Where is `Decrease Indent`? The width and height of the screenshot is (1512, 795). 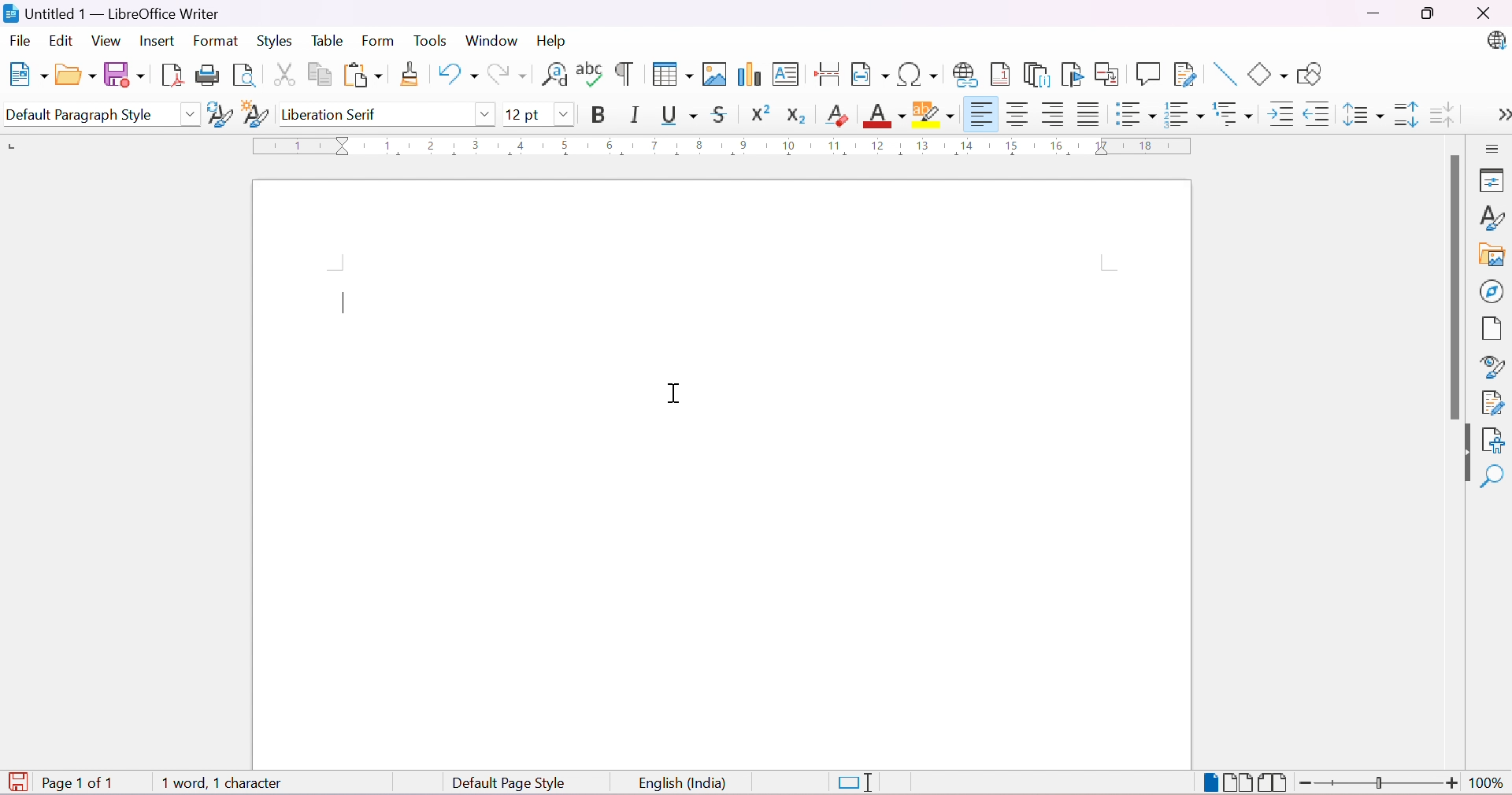 Decrease Indent is located at coordinates (1317, 113).